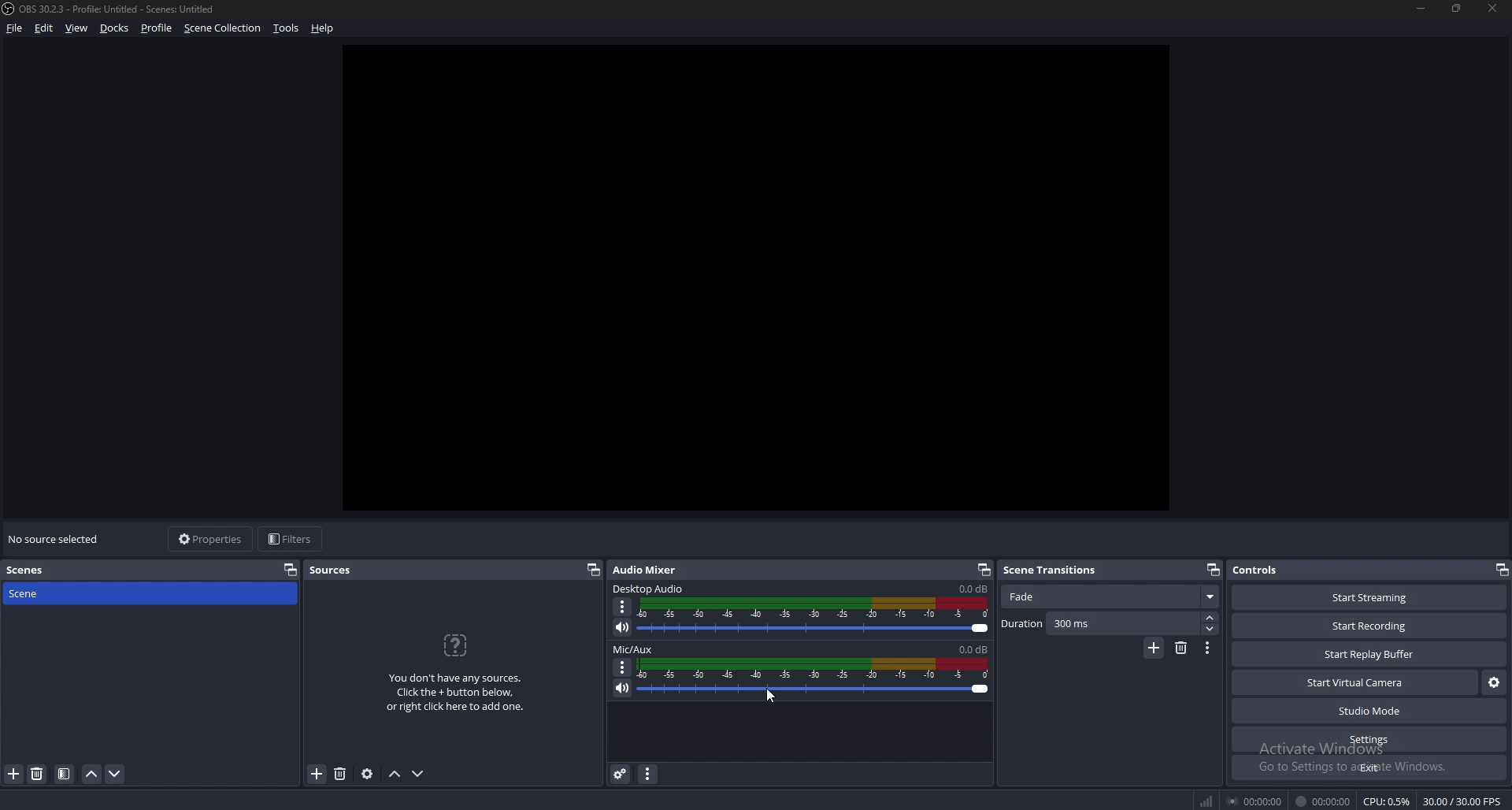 The height and width of the screenshot is (810, 1512). I want to click on mic/aux, so click(636, 648).